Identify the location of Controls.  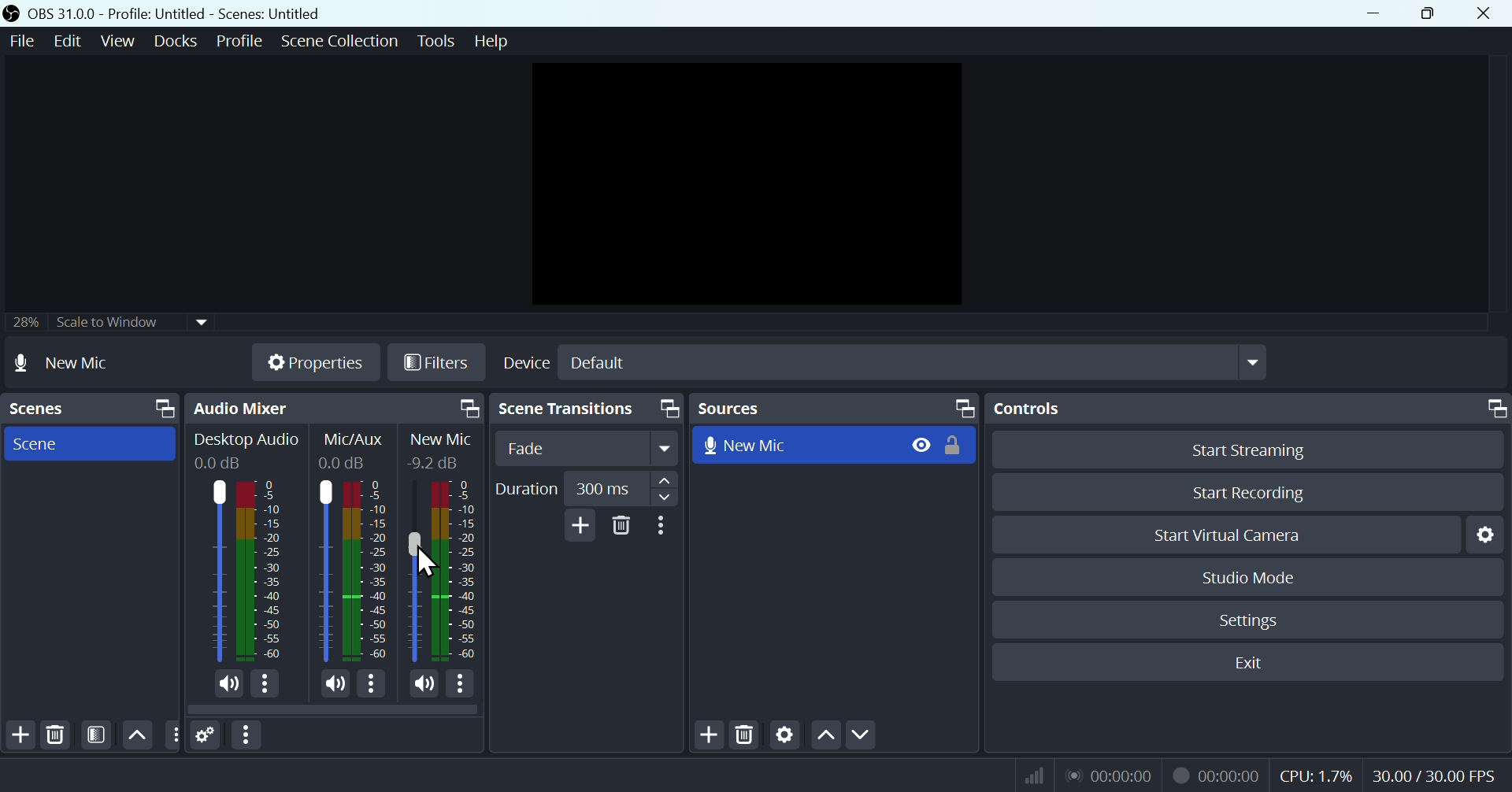
(1251, 409).